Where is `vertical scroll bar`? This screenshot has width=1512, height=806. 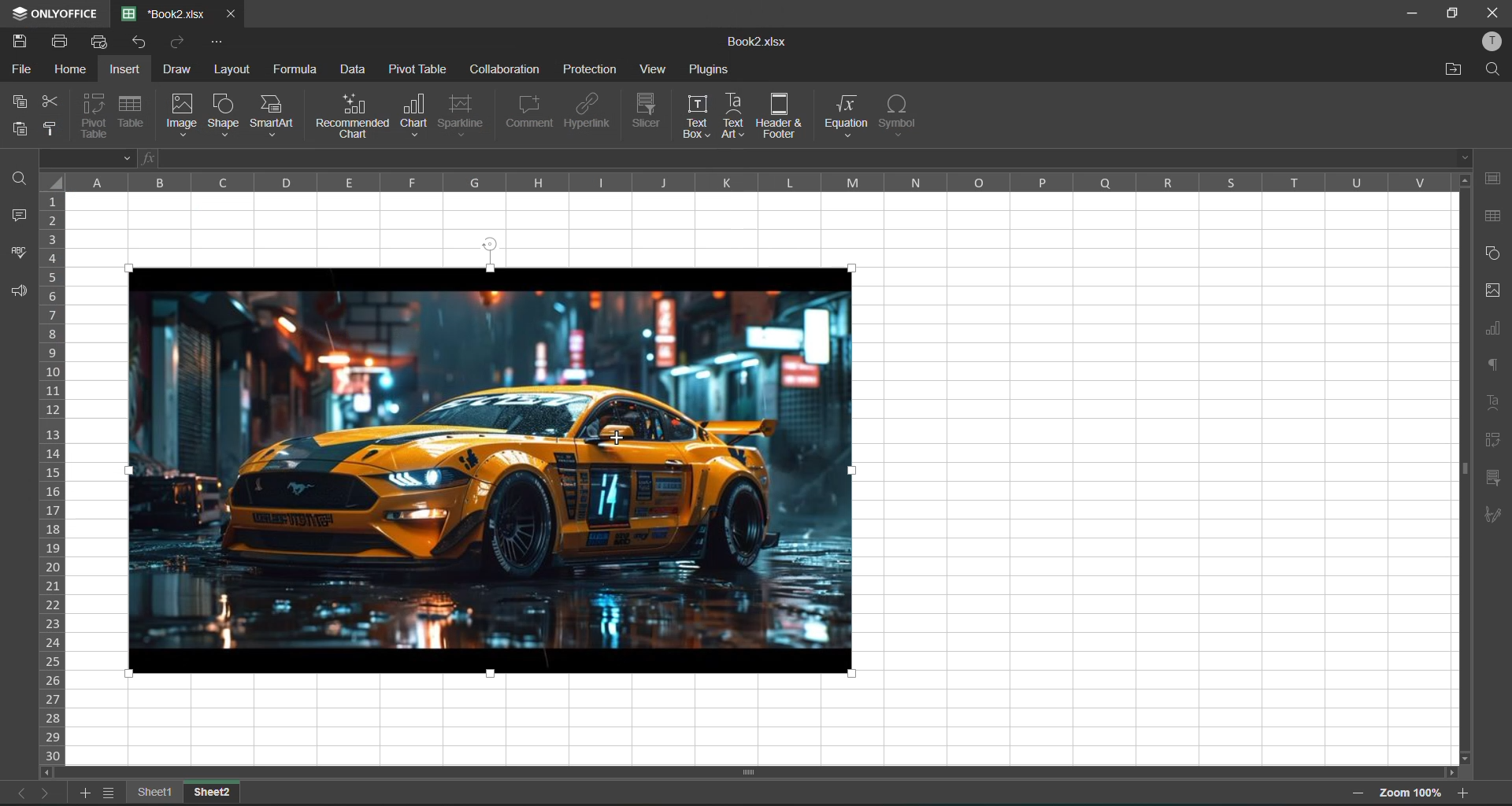 vertical scroll bar is located at coordinates (1462, 371).